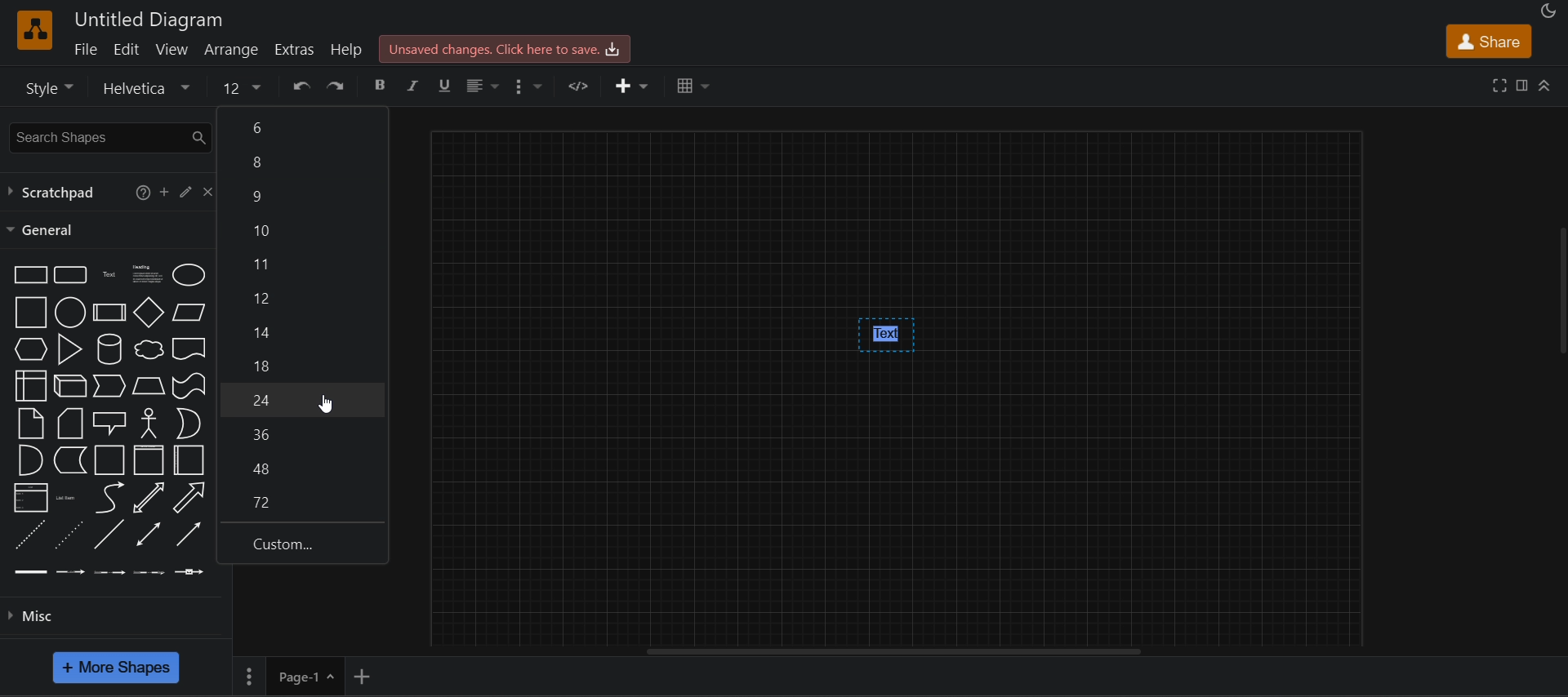 The width and height of the screenshot is (1568, 697). What do you see at coordinates (109, 349) in the screenshot?
I see `Cylinder` at bounding box center [109, 349].